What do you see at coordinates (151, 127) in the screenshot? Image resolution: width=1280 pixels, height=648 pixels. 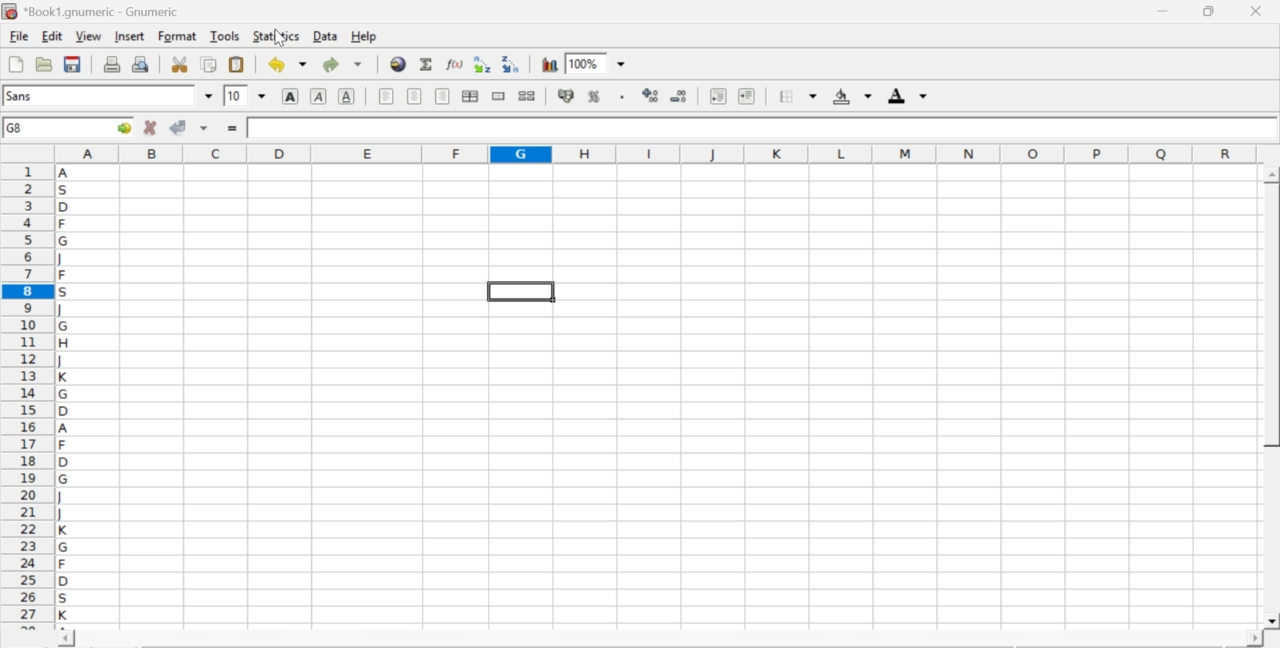 I see `cancel changes` at bounding box center [151, 127].